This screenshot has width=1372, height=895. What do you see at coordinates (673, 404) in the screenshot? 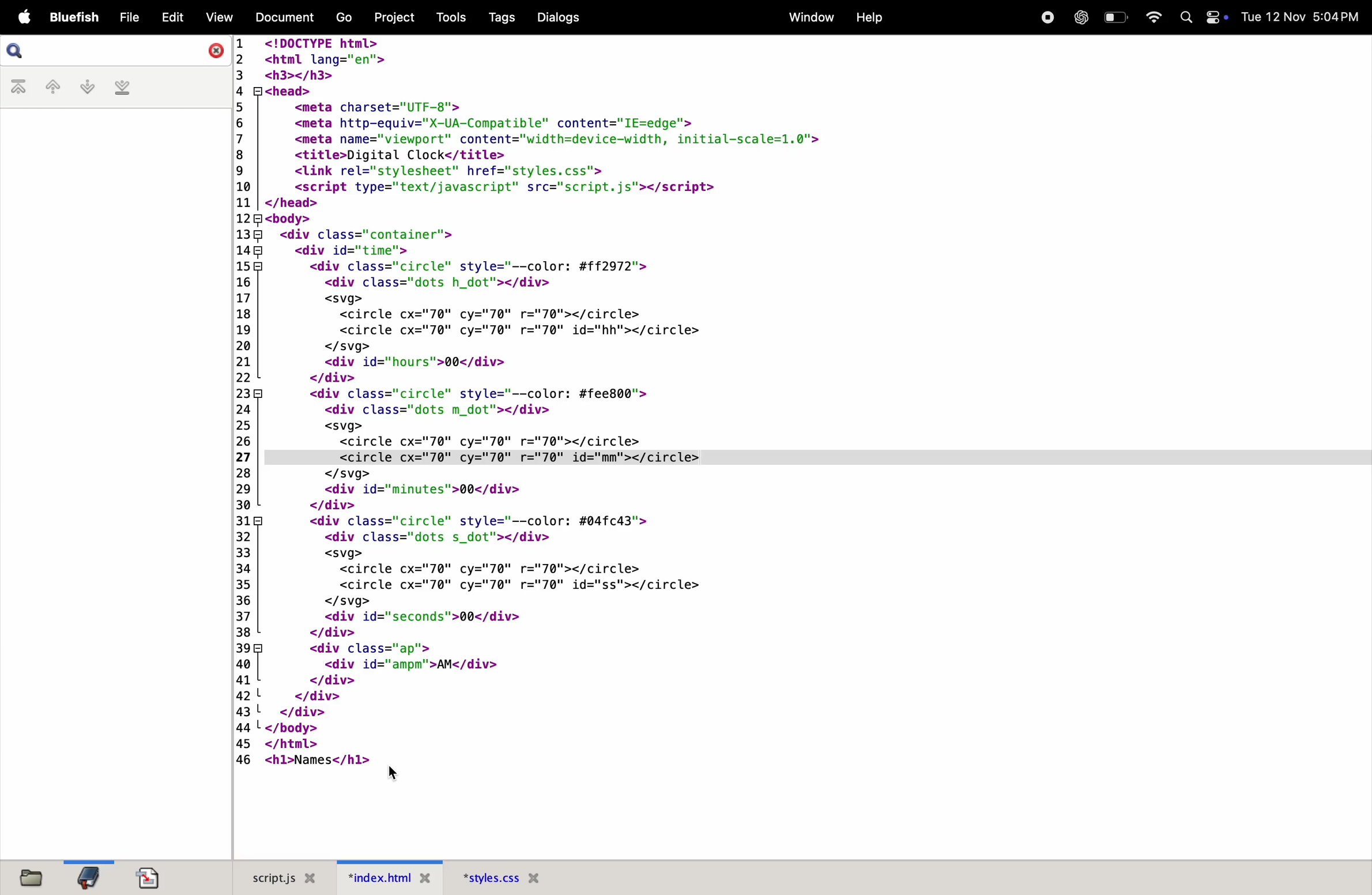
I see `code block` at bounding box center [673, 404].